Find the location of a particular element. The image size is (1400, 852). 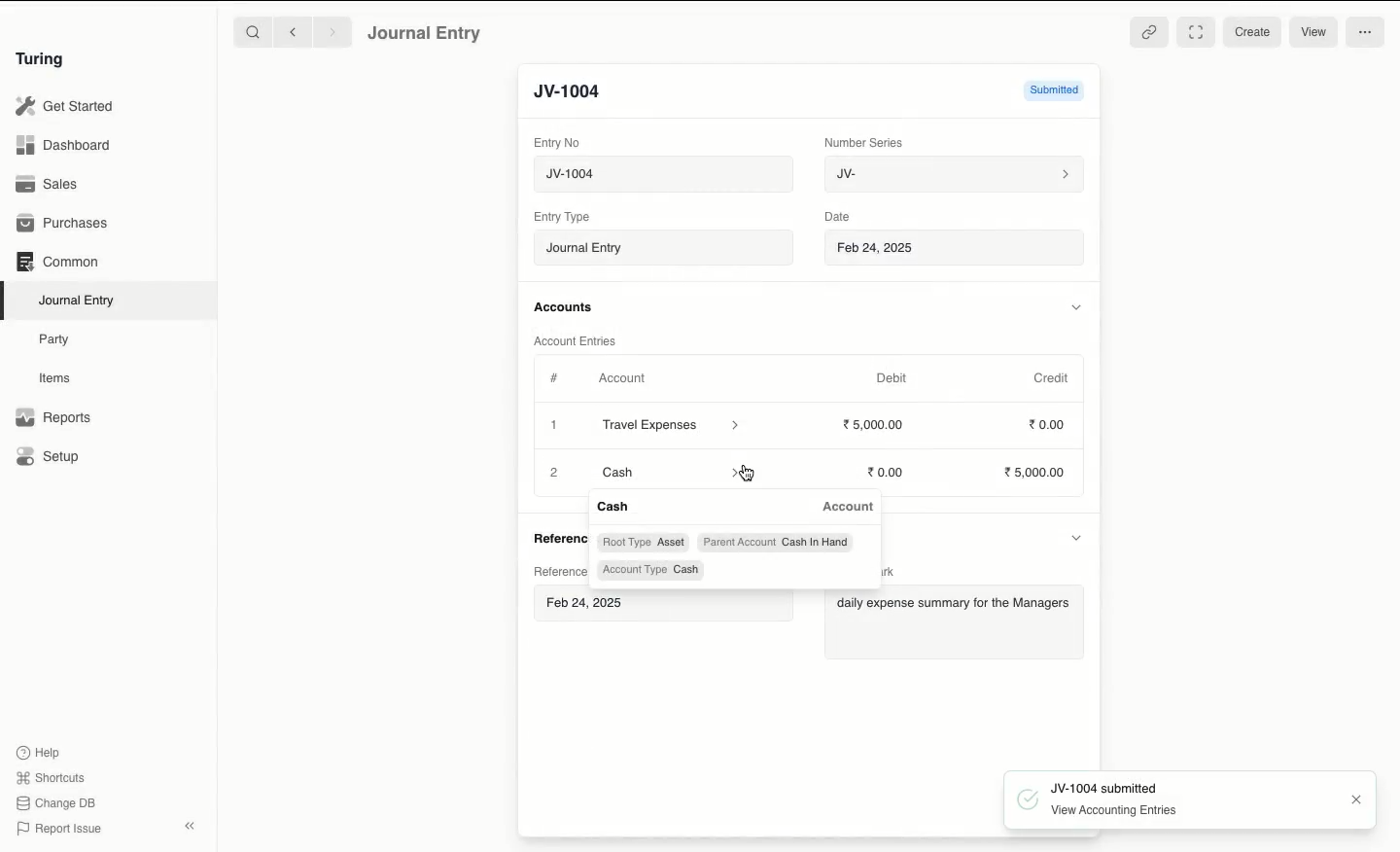

Journal Entry is located at coordinates (426, 34).